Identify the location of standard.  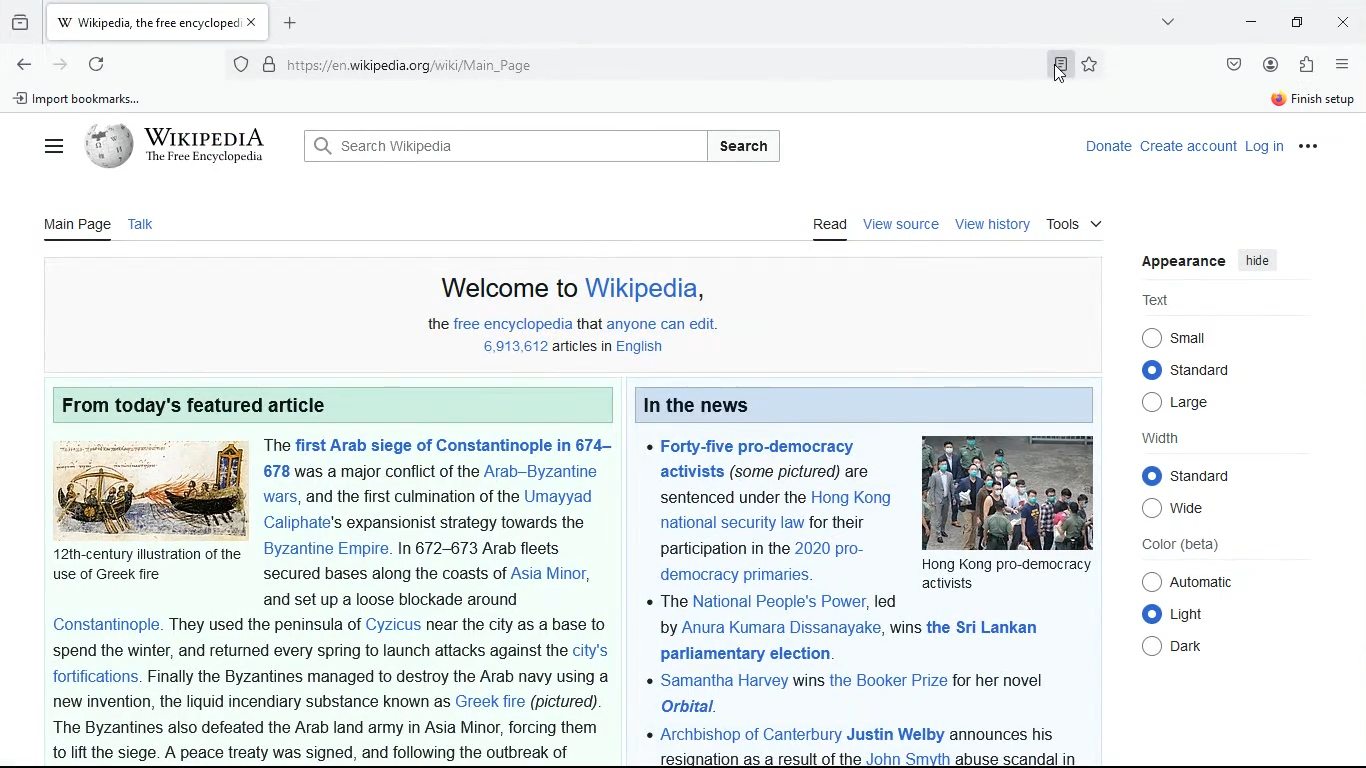
(1194, 475).